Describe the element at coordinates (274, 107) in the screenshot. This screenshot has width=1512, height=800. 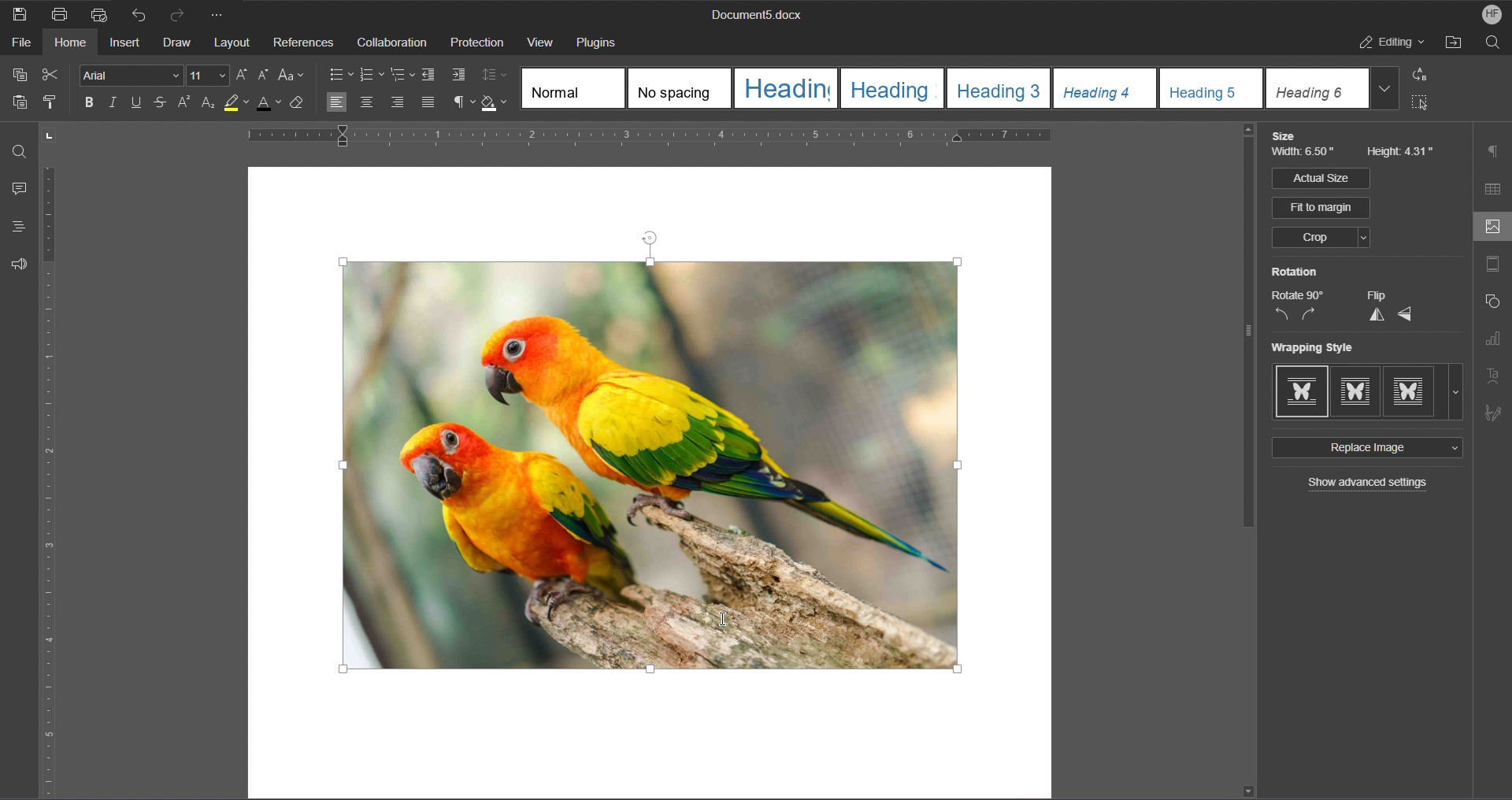
I see `Text Color` at that location.